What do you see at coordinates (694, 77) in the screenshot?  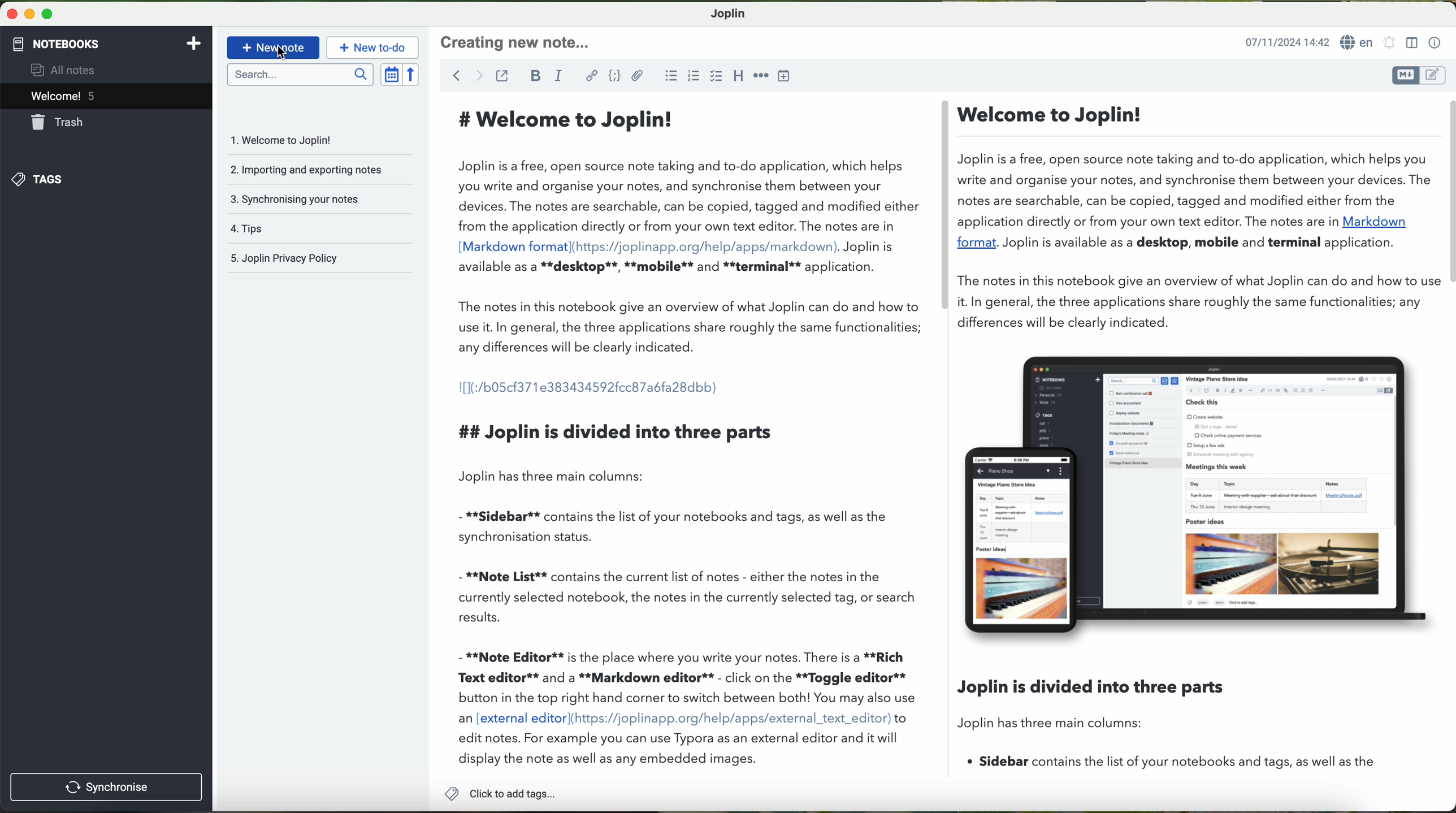 I see `numbered list` at bounding box center [694, 77].